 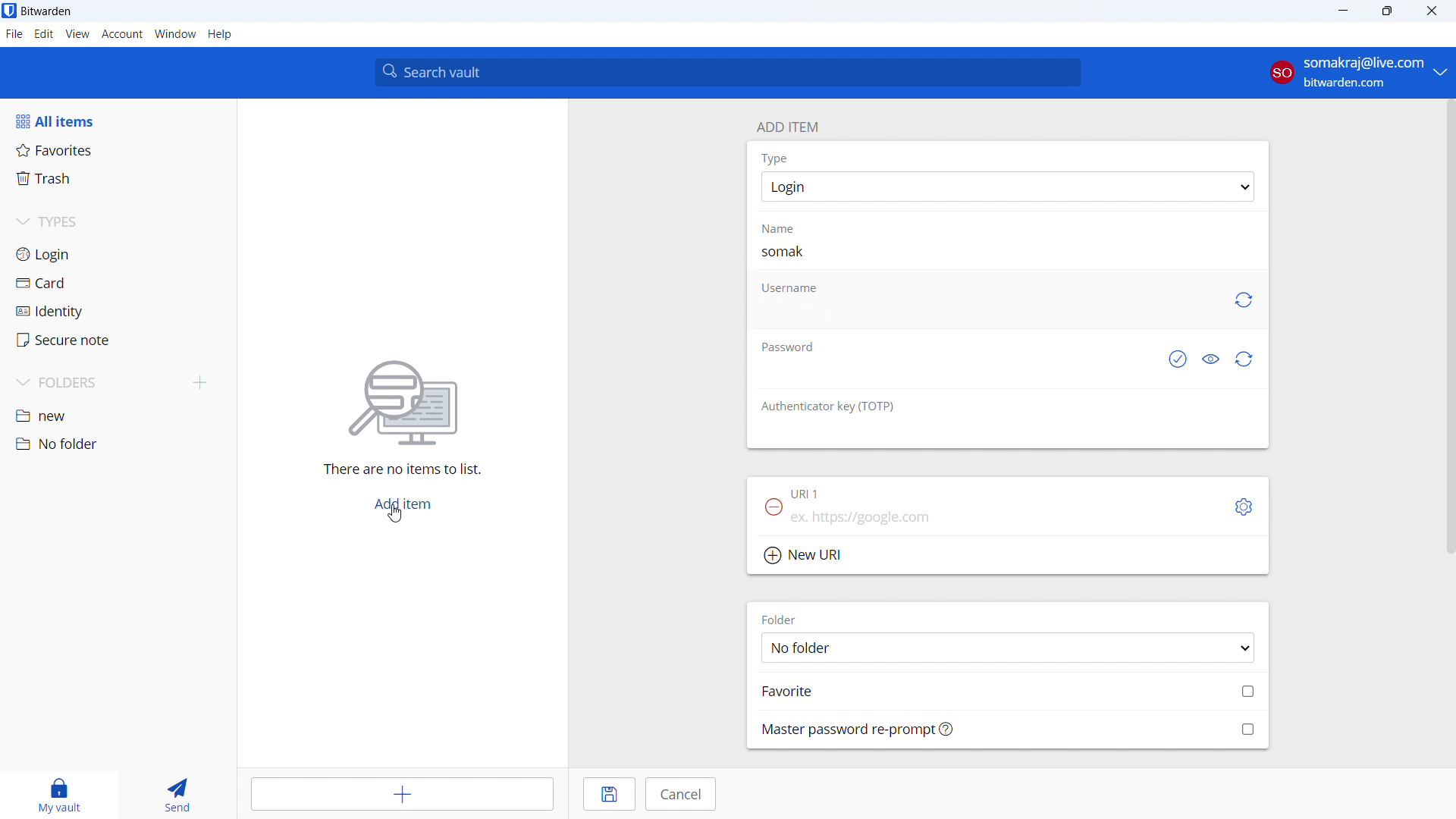 What do you see at coordinates (117, 224) in the screenshot?
I see `types` at bounding box center [117, 224].